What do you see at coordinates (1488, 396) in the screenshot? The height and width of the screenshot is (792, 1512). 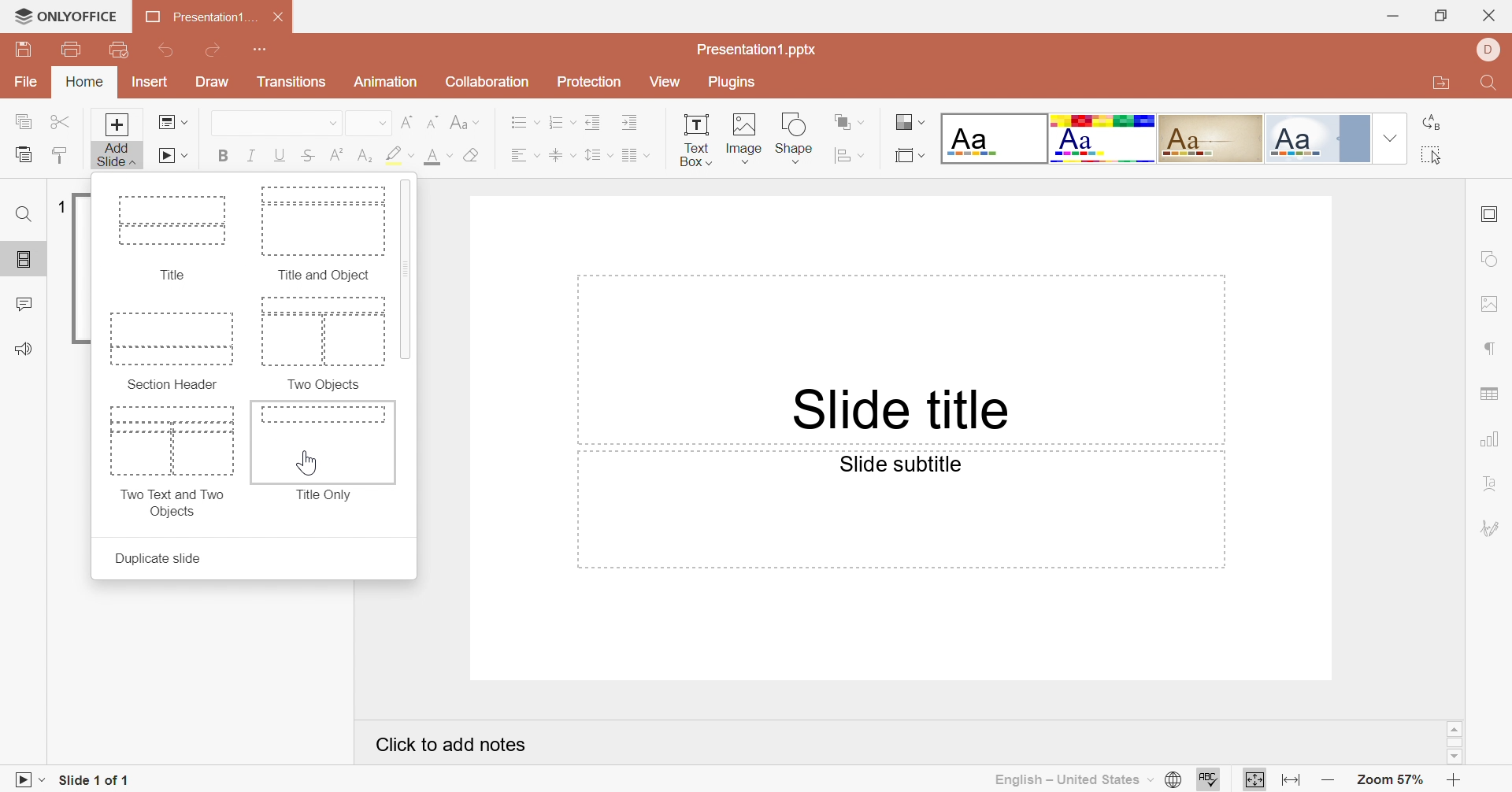 I see `Table settings` at bounding box center [1488, 396].